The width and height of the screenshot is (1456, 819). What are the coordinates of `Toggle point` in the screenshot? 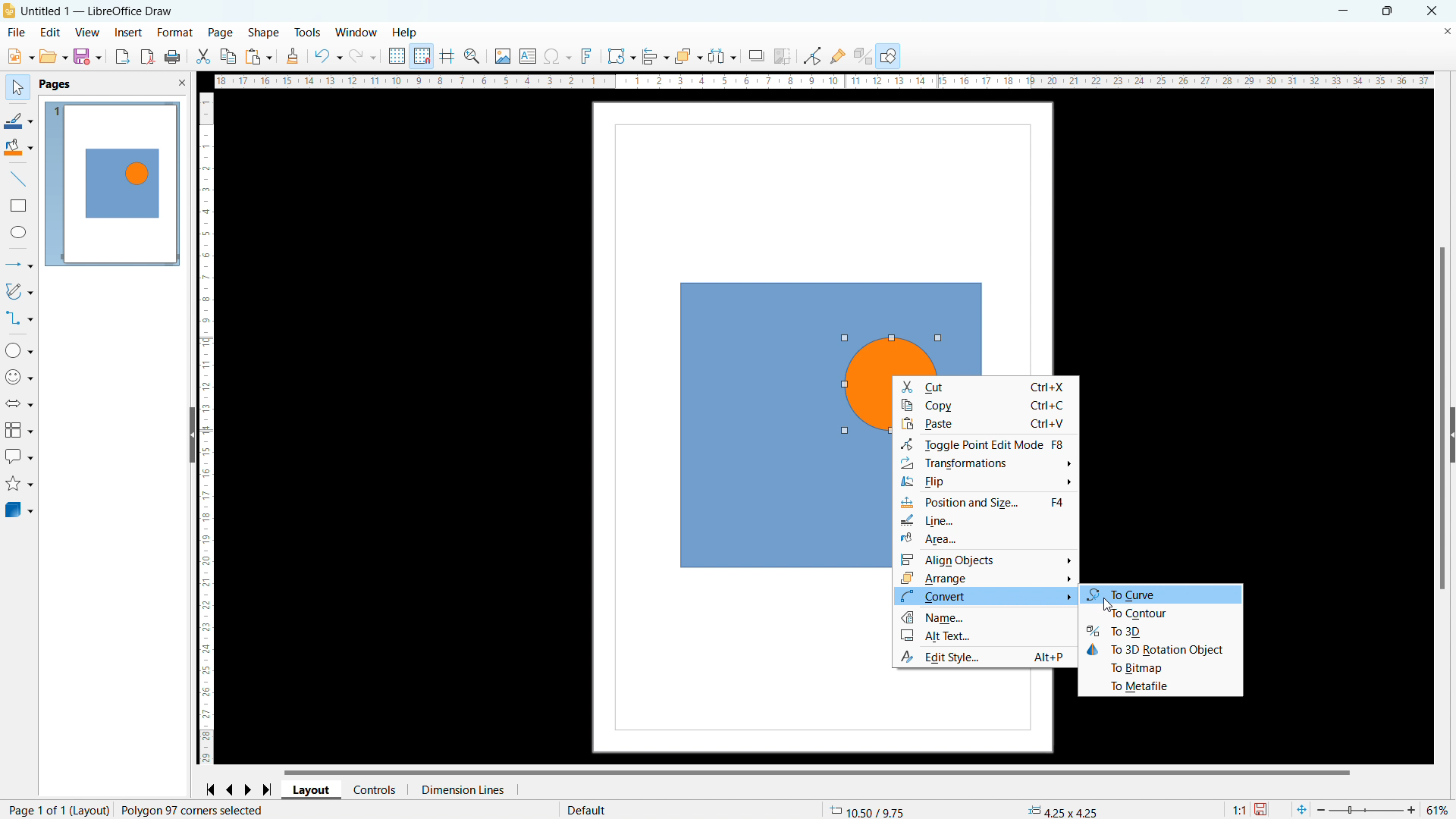 It's located at (984, 444).